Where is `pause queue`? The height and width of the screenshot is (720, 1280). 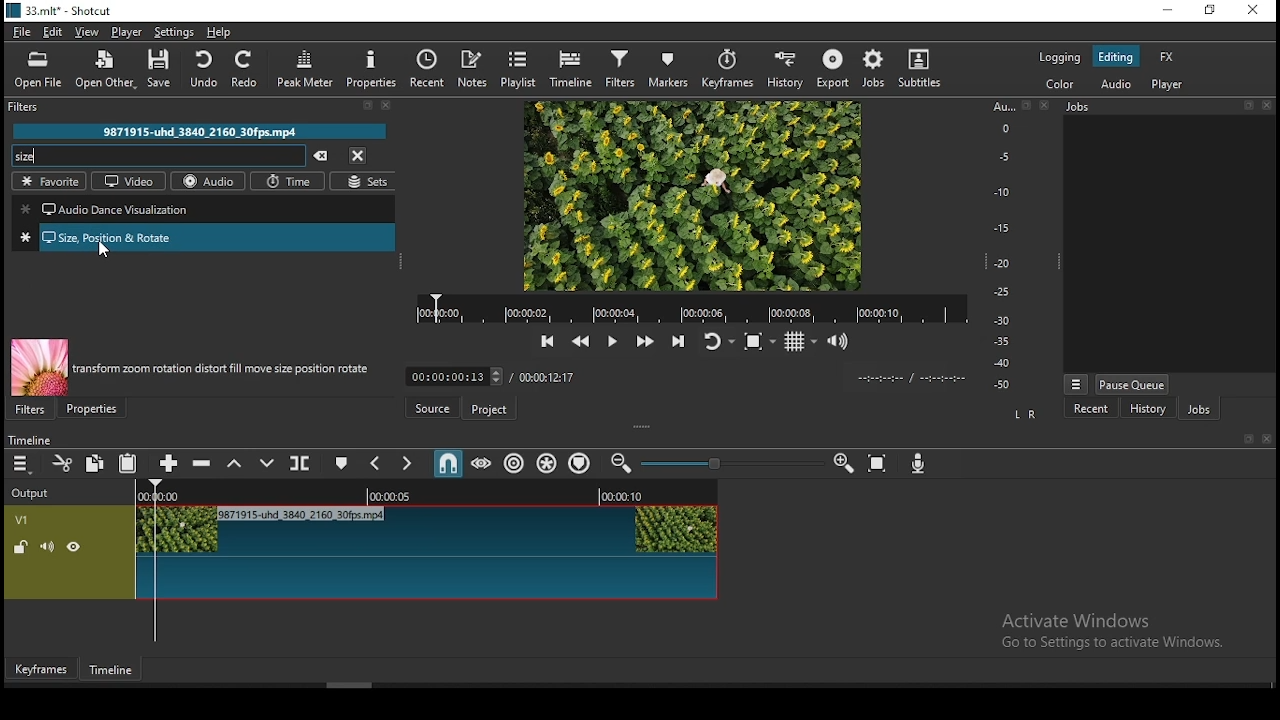 pause queue is located at coordinates (1132, 383).